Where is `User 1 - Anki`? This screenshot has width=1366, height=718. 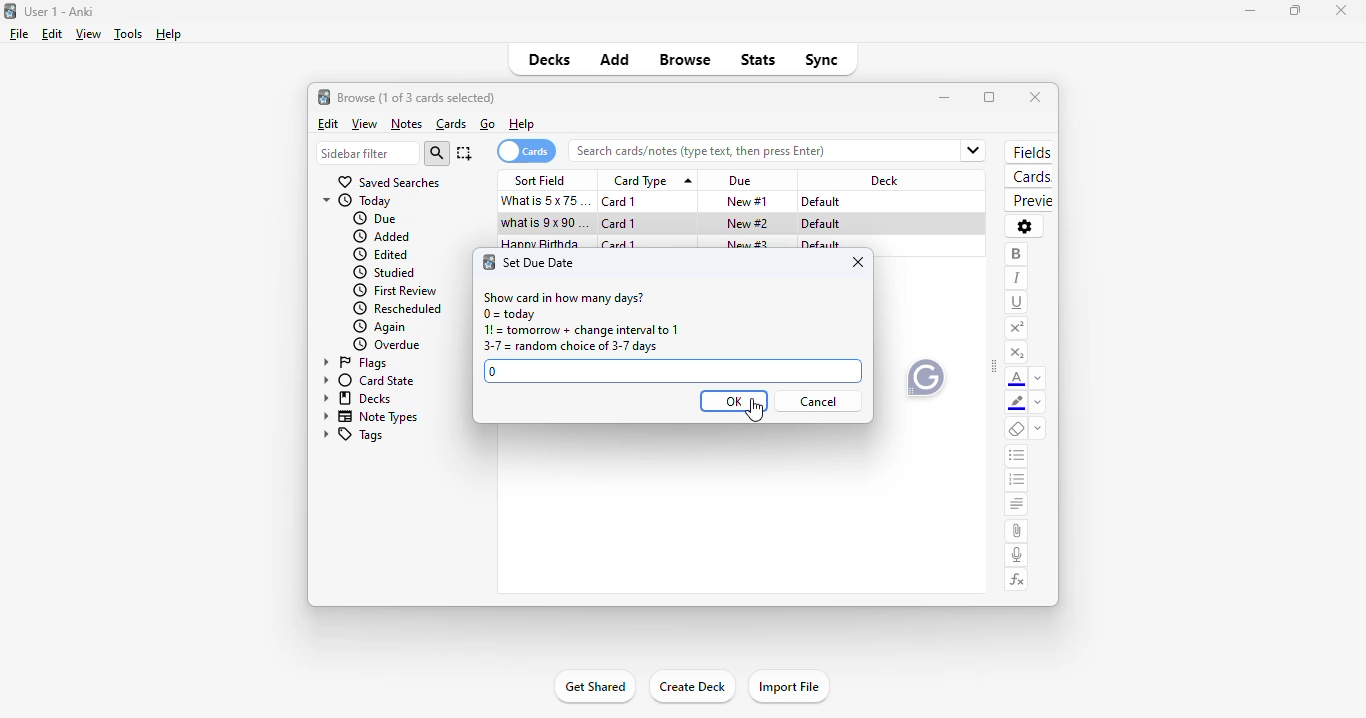 User 1 - Anki is located at coordinates (59, 11).